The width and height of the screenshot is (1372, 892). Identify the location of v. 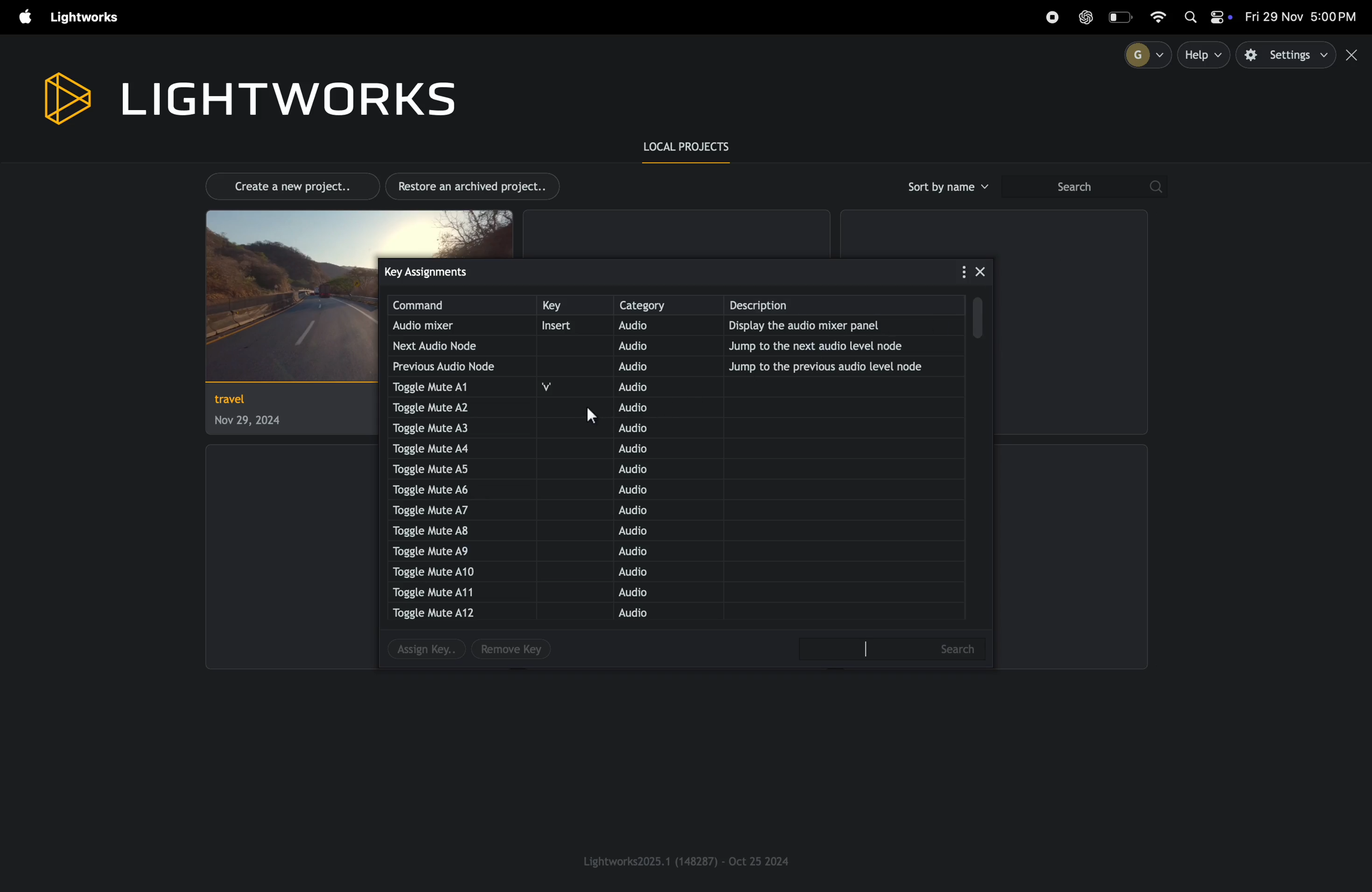
(555, 388).